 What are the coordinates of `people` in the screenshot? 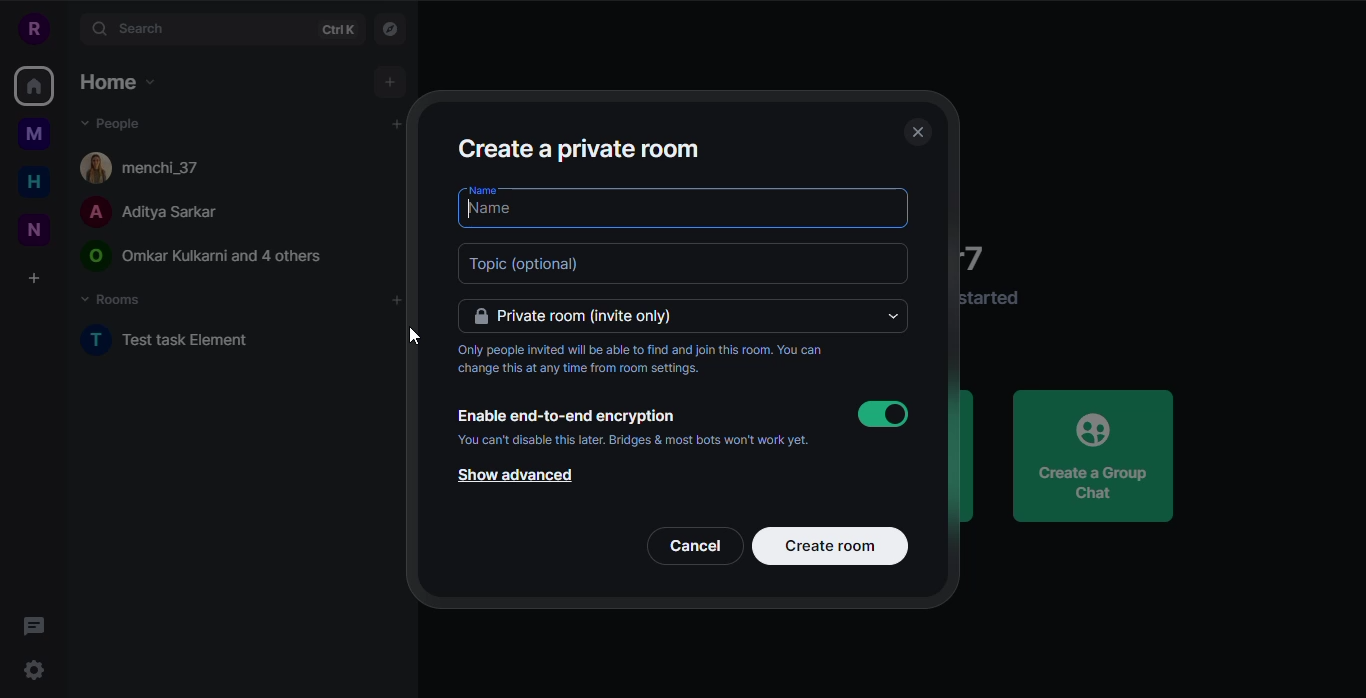 It's located at (146, 213).